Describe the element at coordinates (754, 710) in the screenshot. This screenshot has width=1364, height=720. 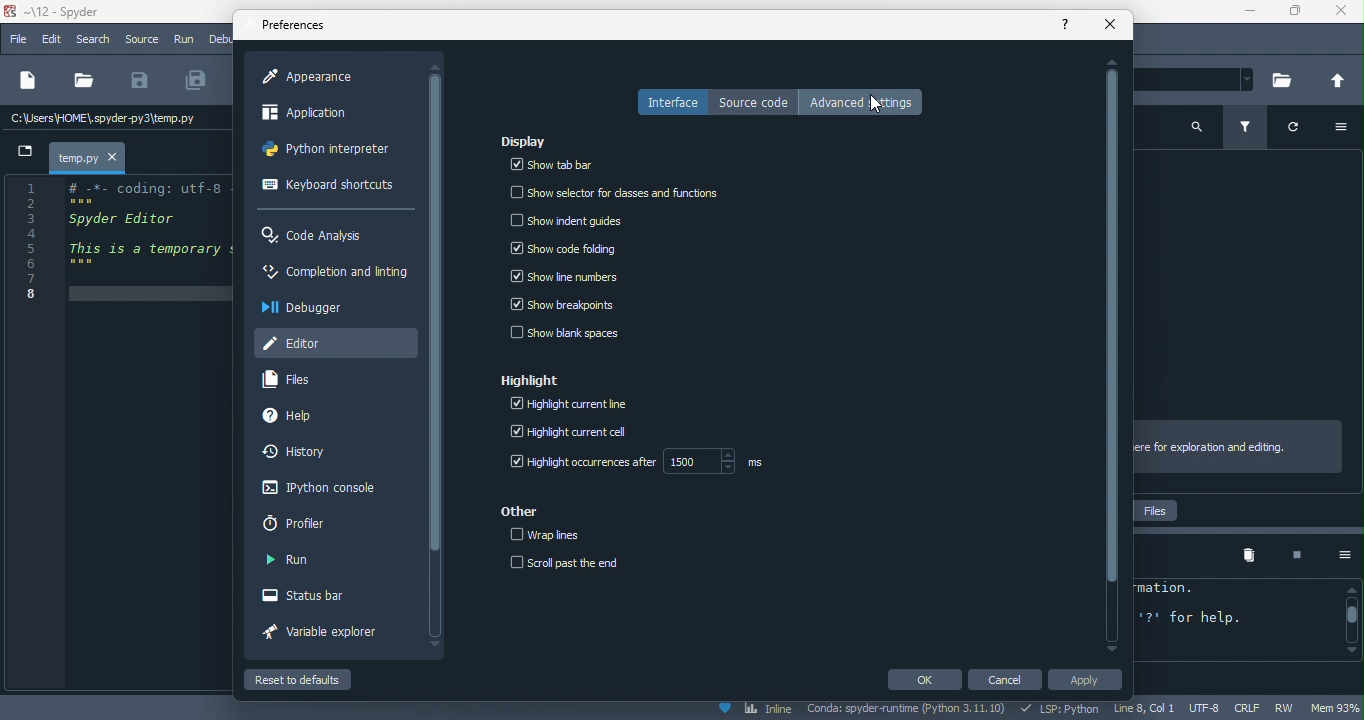
I see `inline` at that location.